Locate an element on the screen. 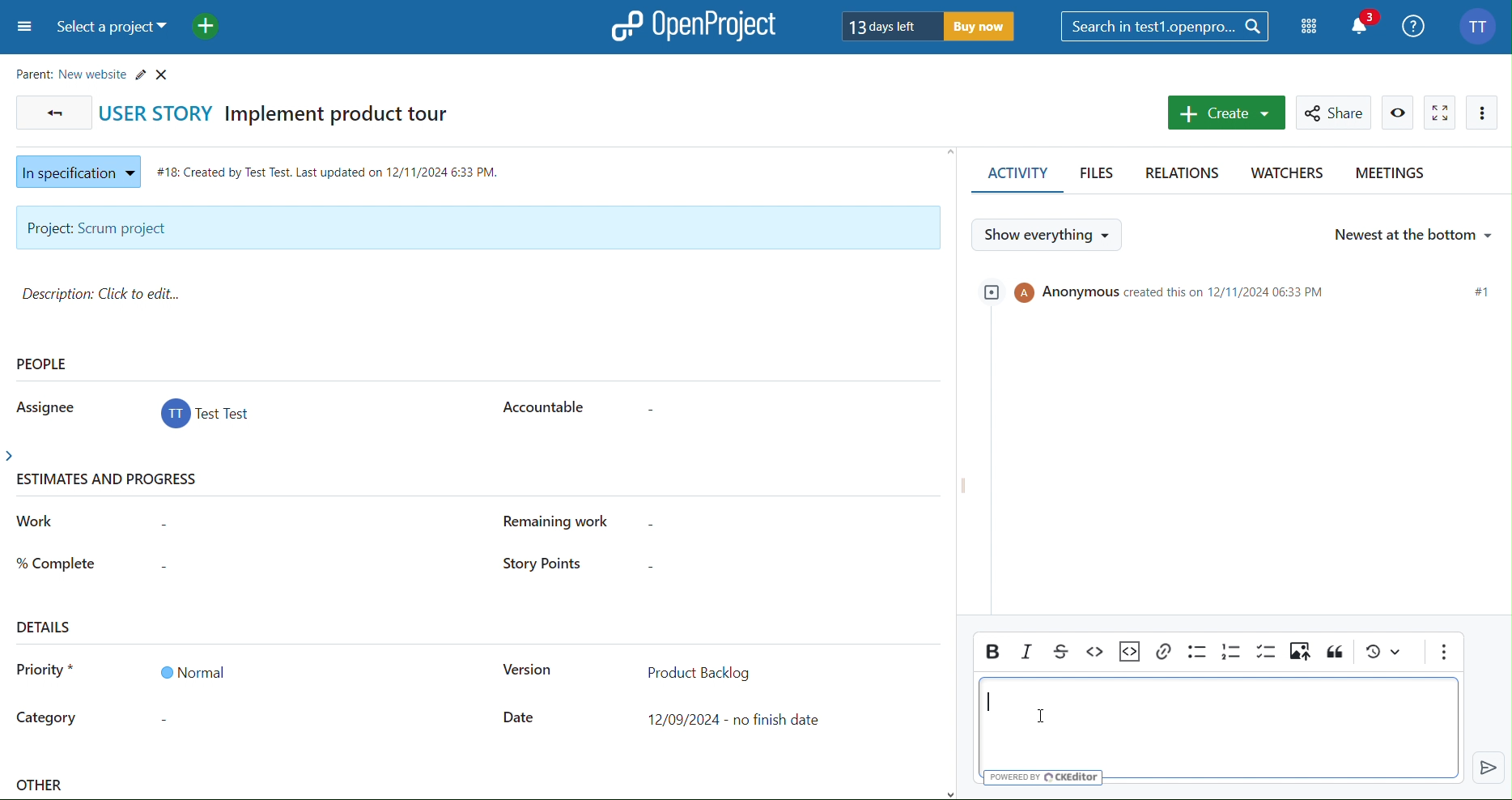 The height and width of the screenshot is (800, 1512). Story Points is located at coordinates (538, 565).